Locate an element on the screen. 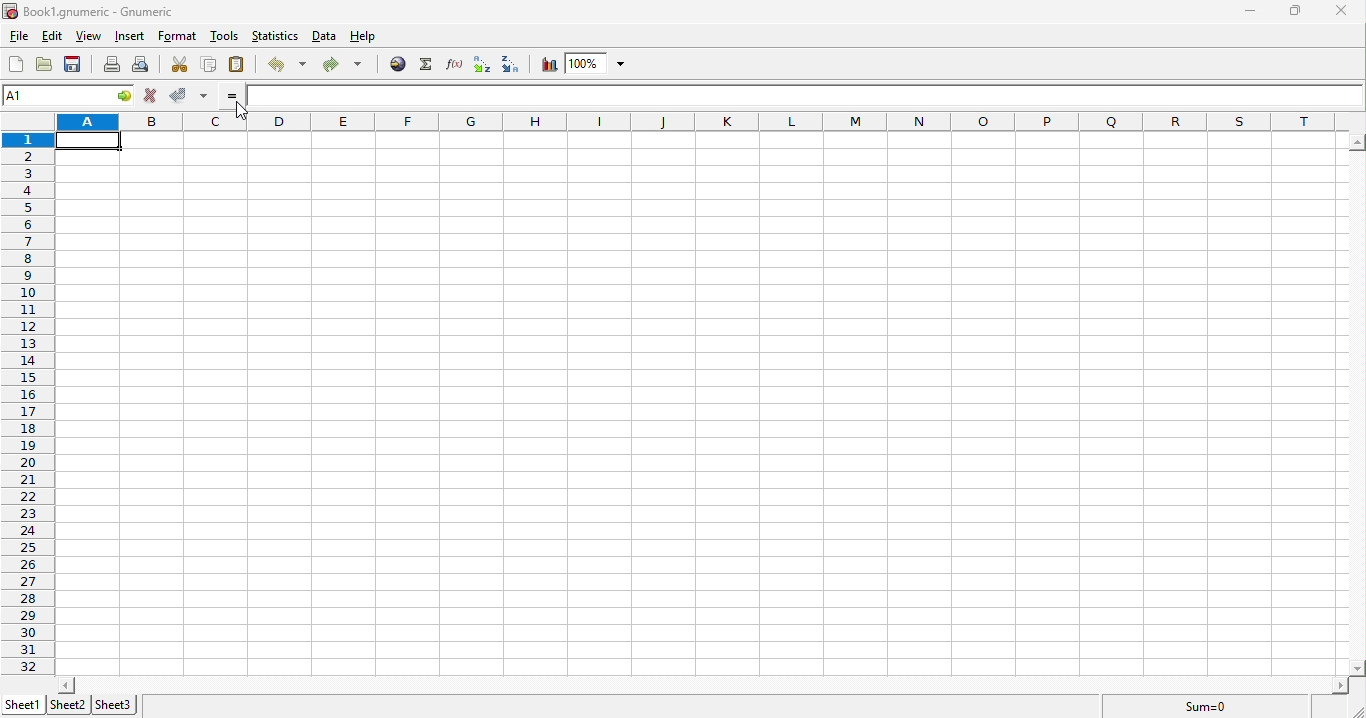 The image size is (1366, 718). copy is located at coordinates (210, 64).